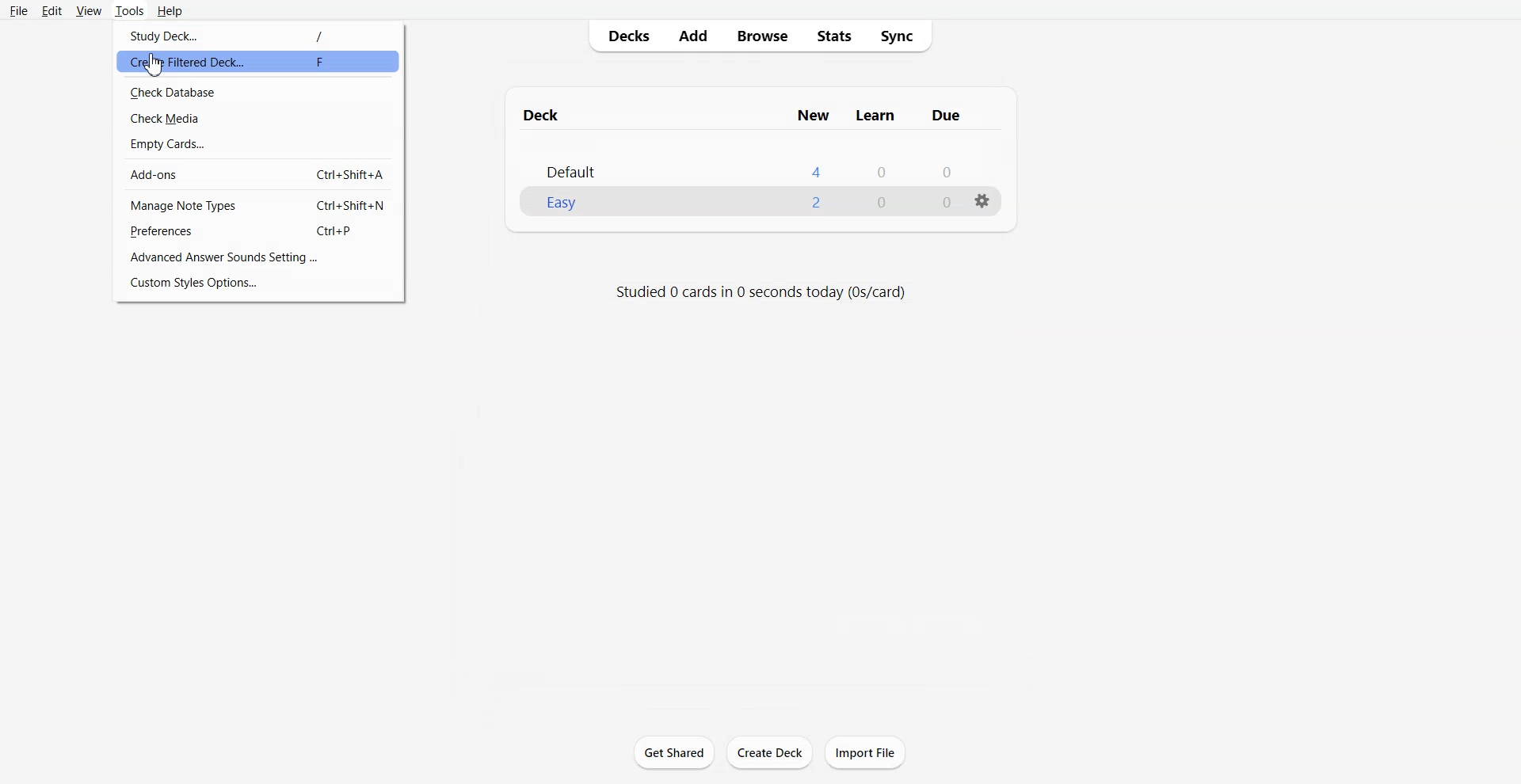  I want to click on Sync, so click(902, 36).